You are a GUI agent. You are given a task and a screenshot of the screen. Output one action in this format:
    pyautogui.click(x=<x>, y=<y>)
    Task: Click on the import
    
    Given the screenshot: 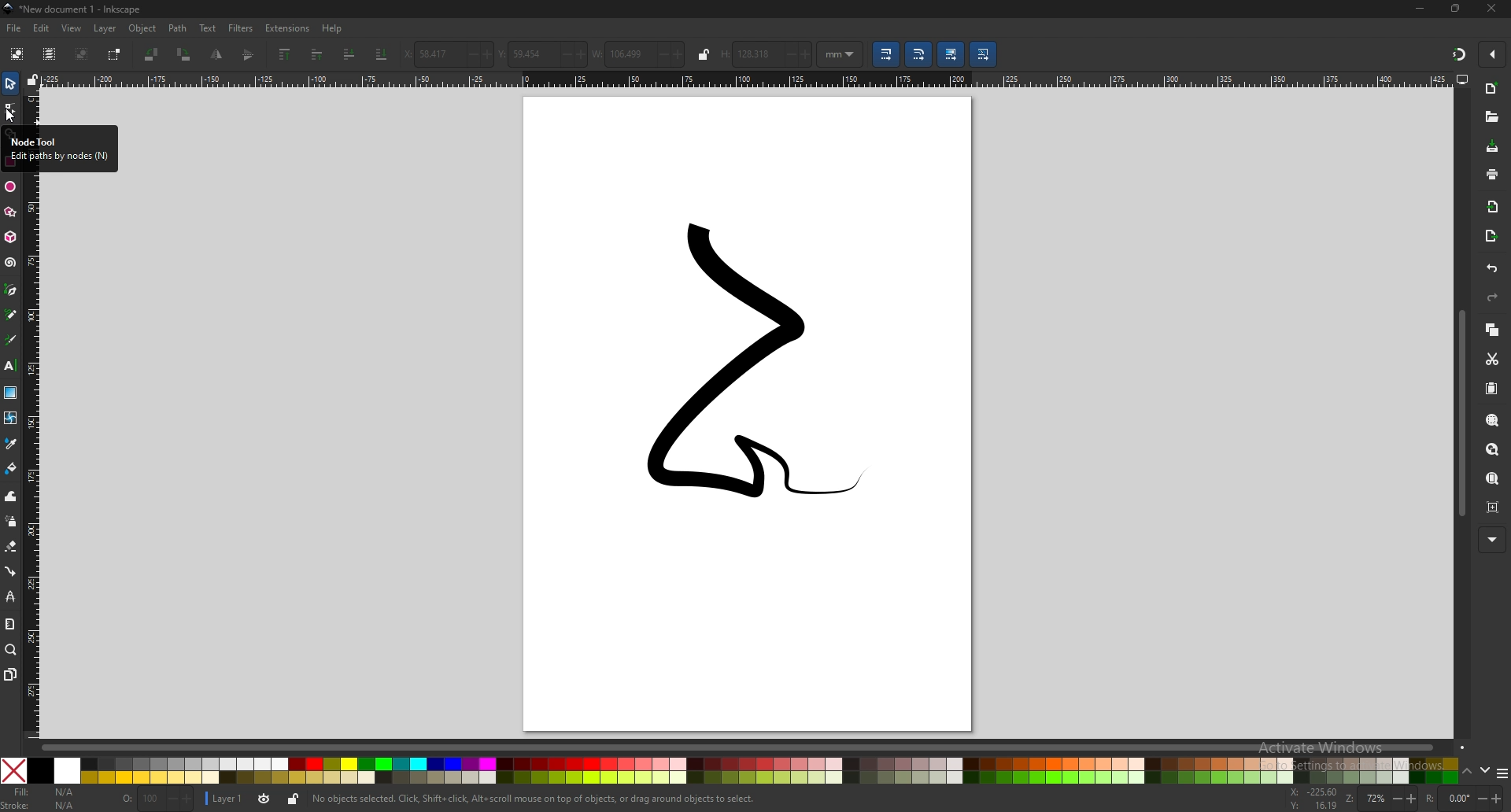 What is the action you would take?
    pyautogui.click(x=1493, y=206)
    